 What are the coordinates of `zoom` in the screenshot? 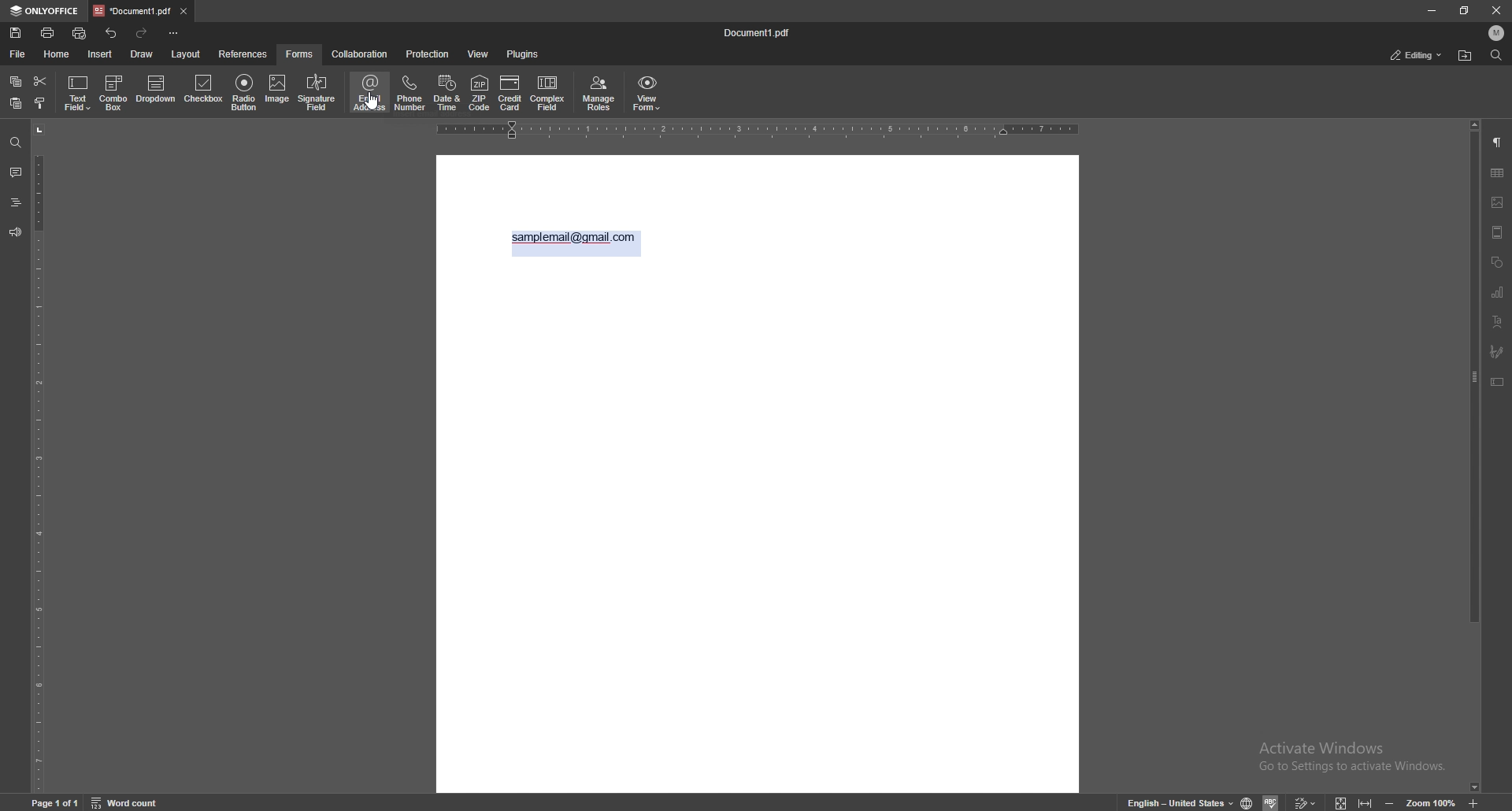 It's located at (1431, 802).